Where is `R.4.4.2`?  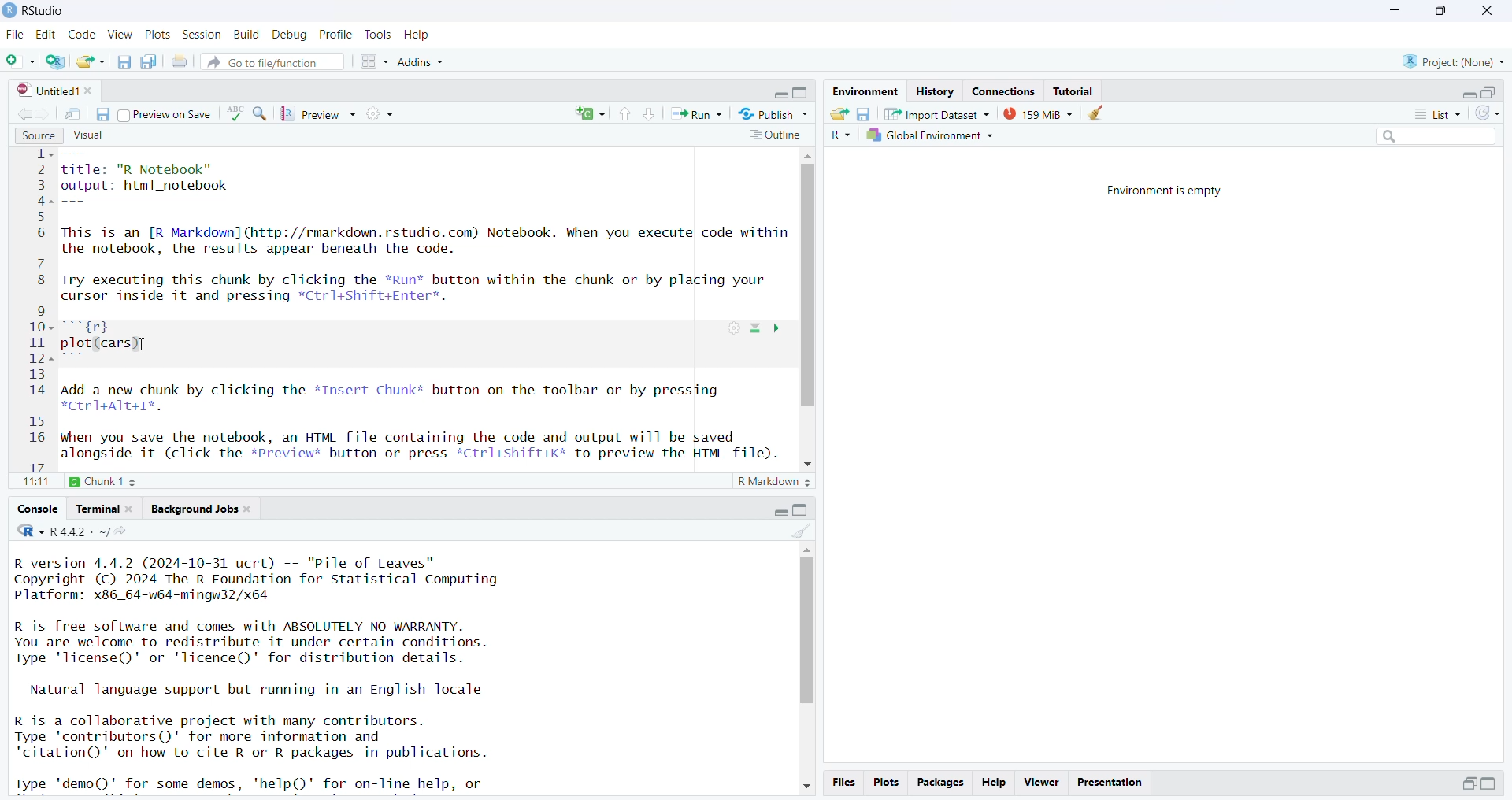
R.4.4.2 is located at coordinates (62, 530).